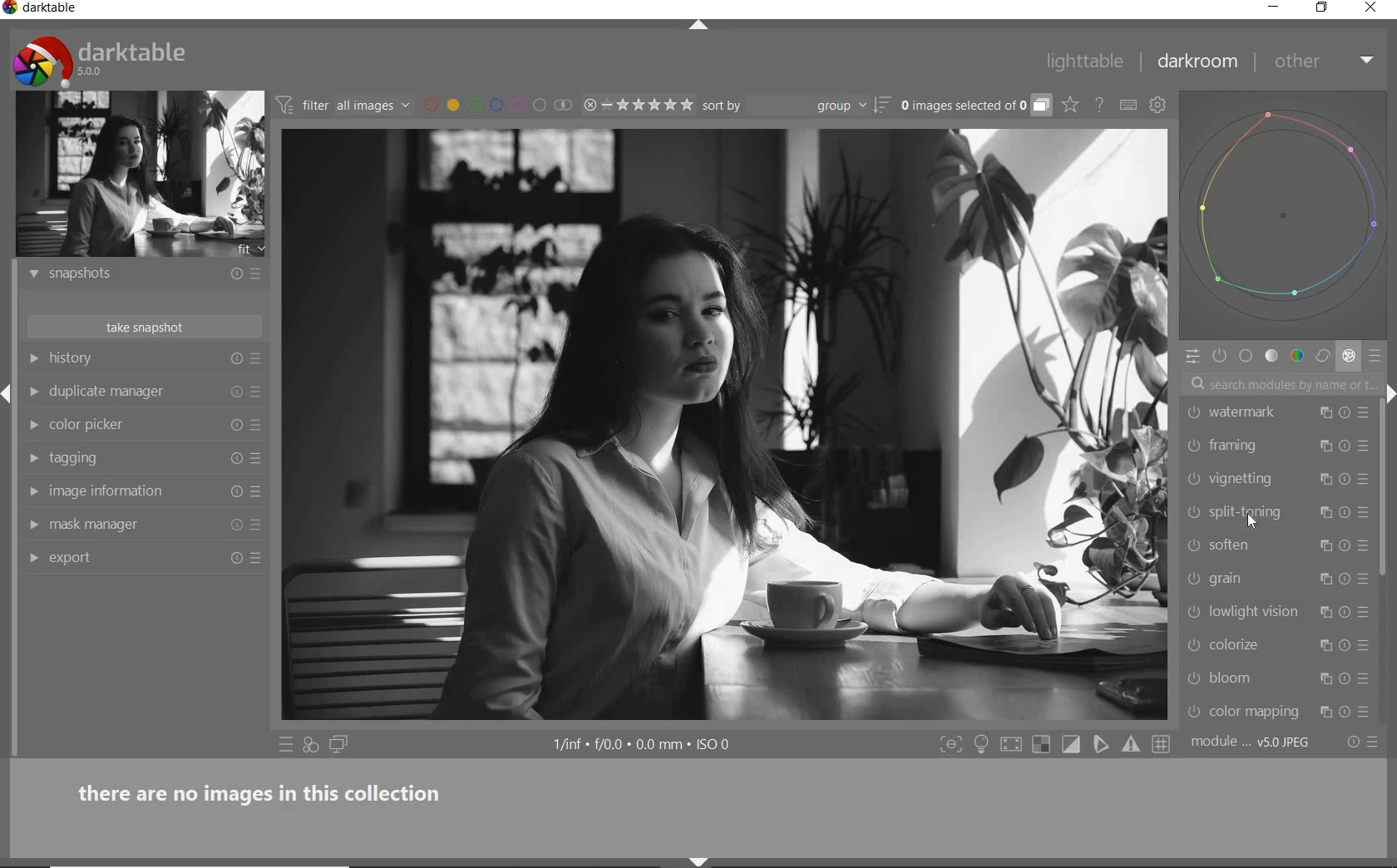  What do you see at coordinates (1280, 383) in the screenshot?
I see `search module by name` at bounding box center [1280, 383].